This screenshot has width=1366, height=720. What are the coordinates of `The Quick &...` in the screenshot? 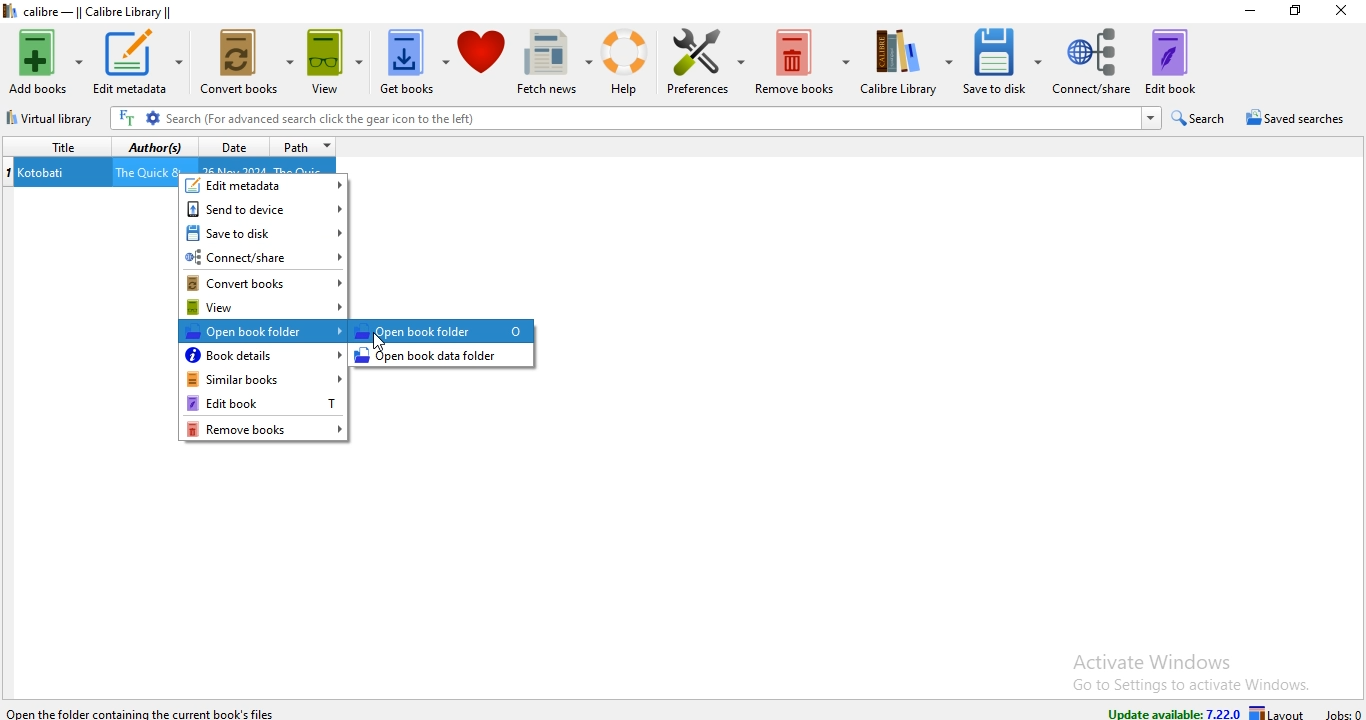 It's located at (144, 172).